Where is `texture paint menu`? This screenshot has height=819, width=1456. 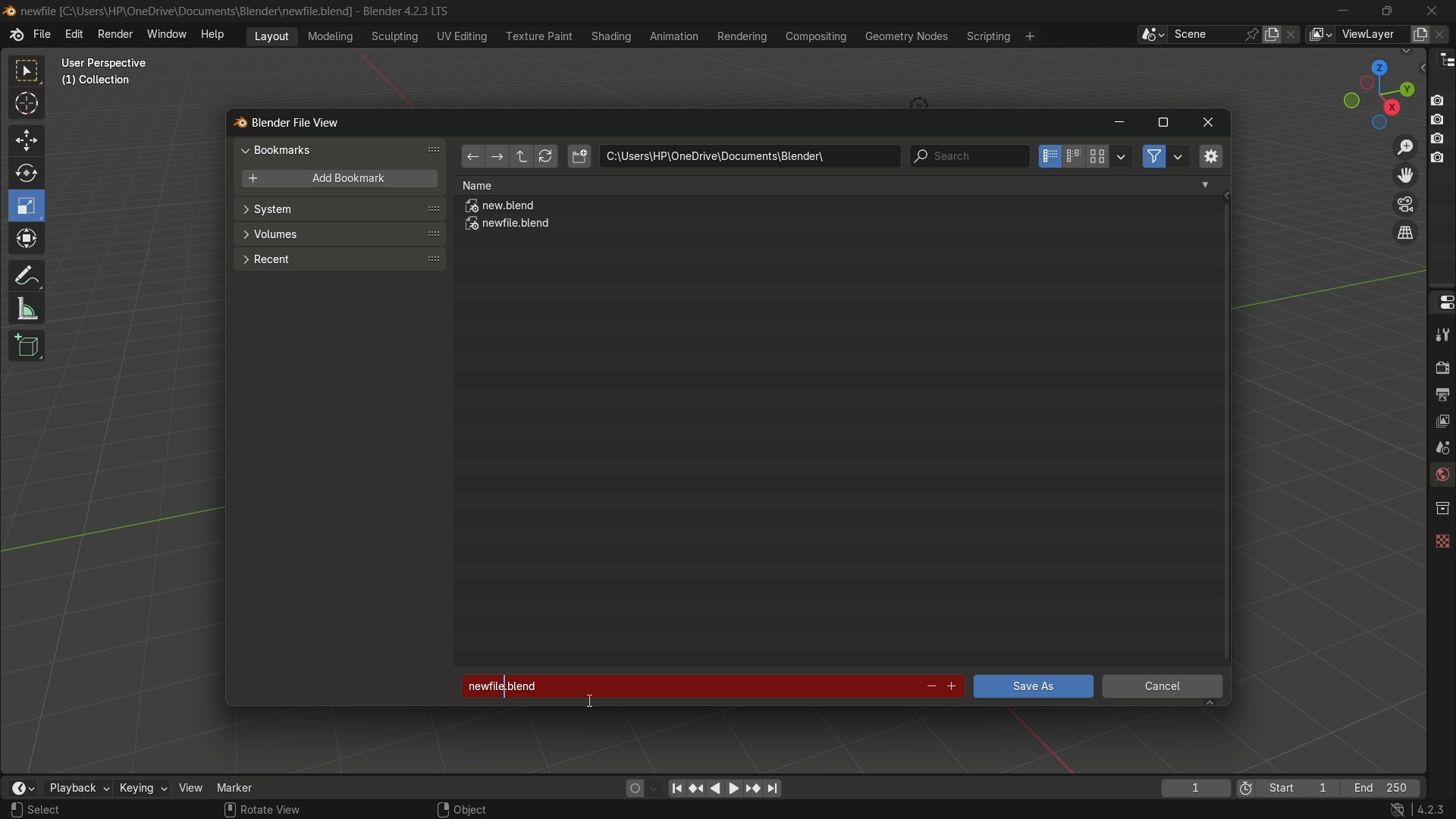 texture paint menu is located at coordinates (538, 35).